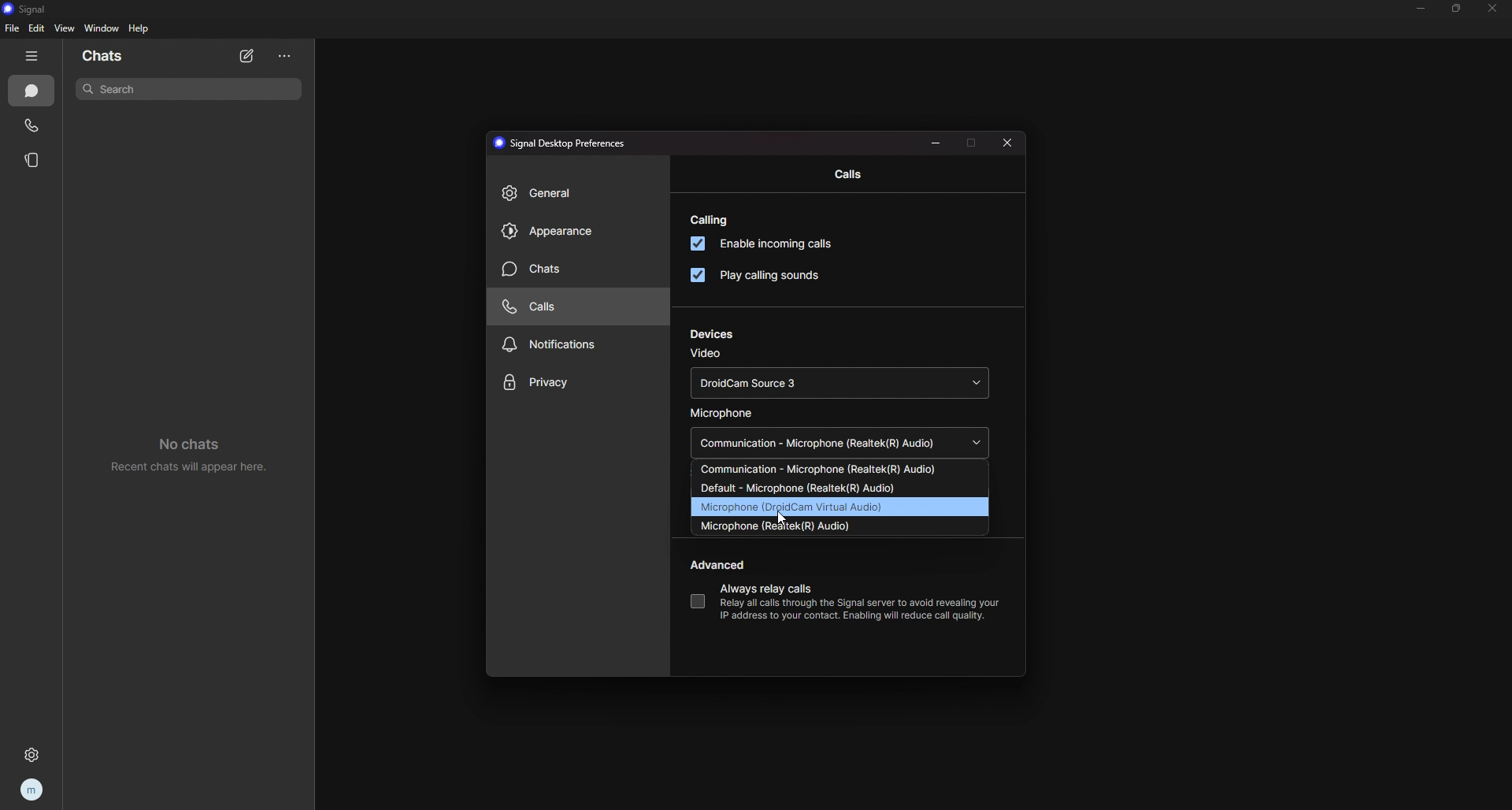  What do you see at coordinates (574, 193) in the screenshot?
I see `general` at bounding box center [574, 193].